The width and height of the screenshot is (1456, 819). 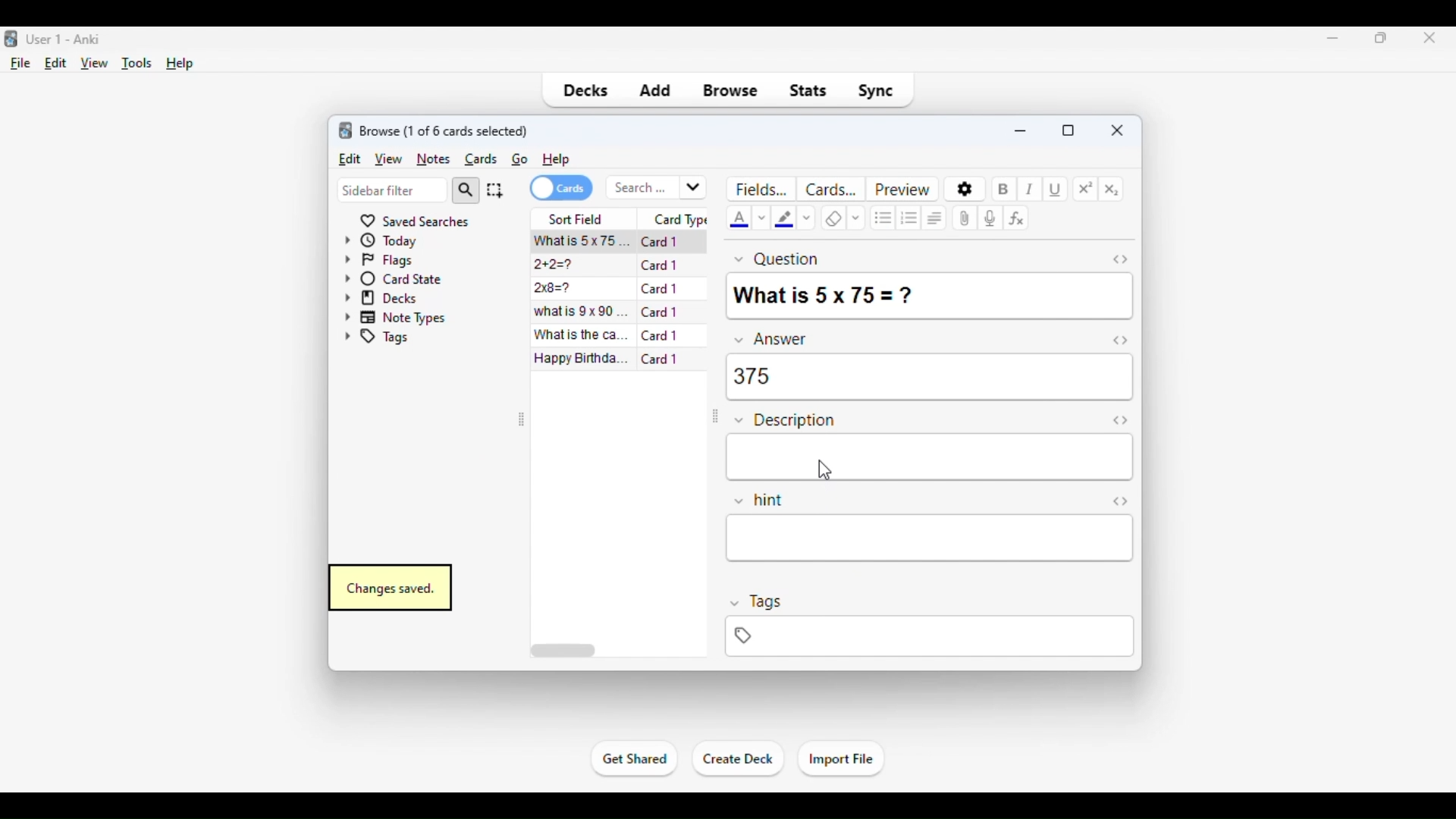 I want to click on tools, so click(x=138, y=64).